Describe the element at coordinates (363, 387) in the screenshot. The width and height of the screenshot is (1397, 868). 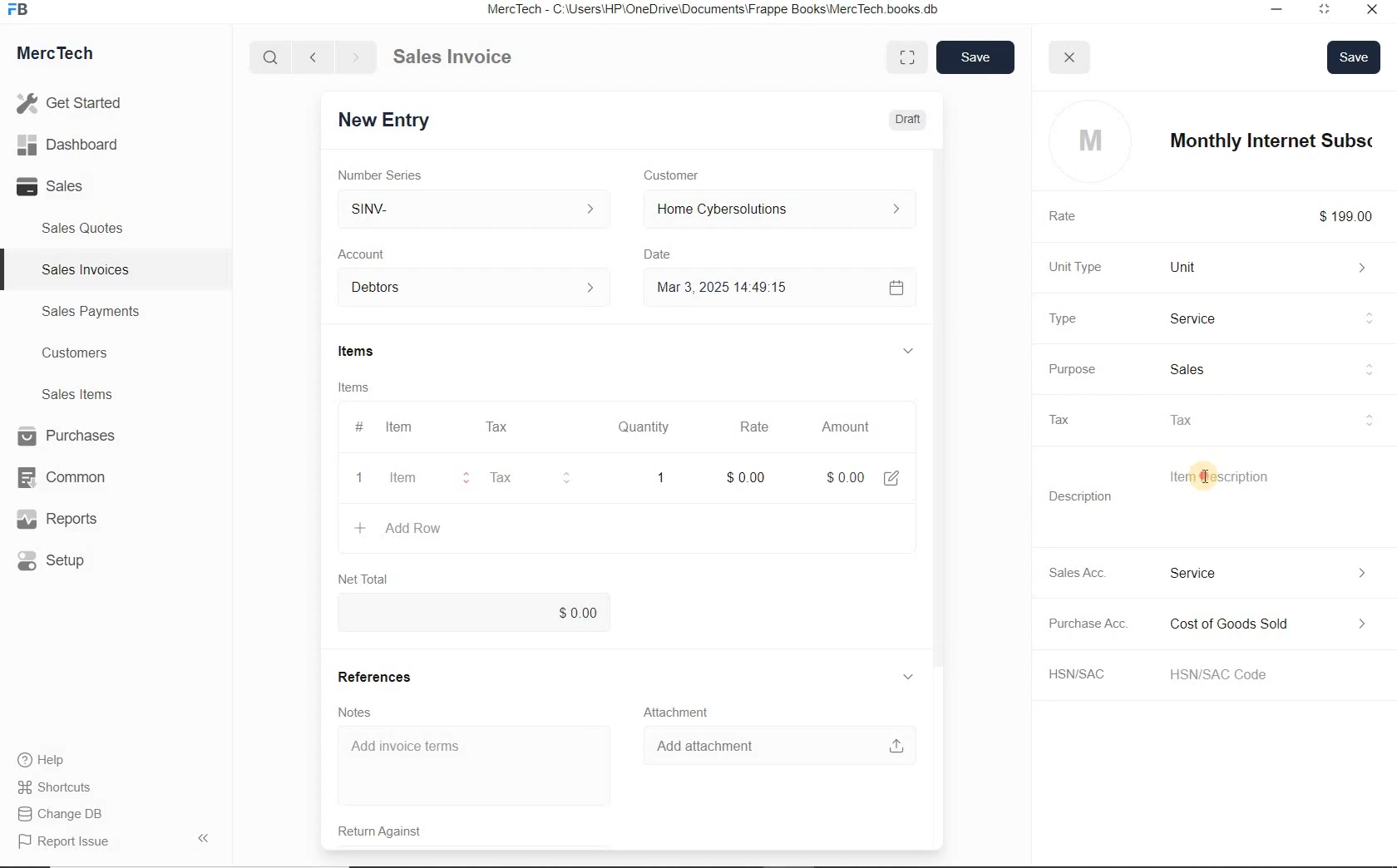
I see `Items` at that location.